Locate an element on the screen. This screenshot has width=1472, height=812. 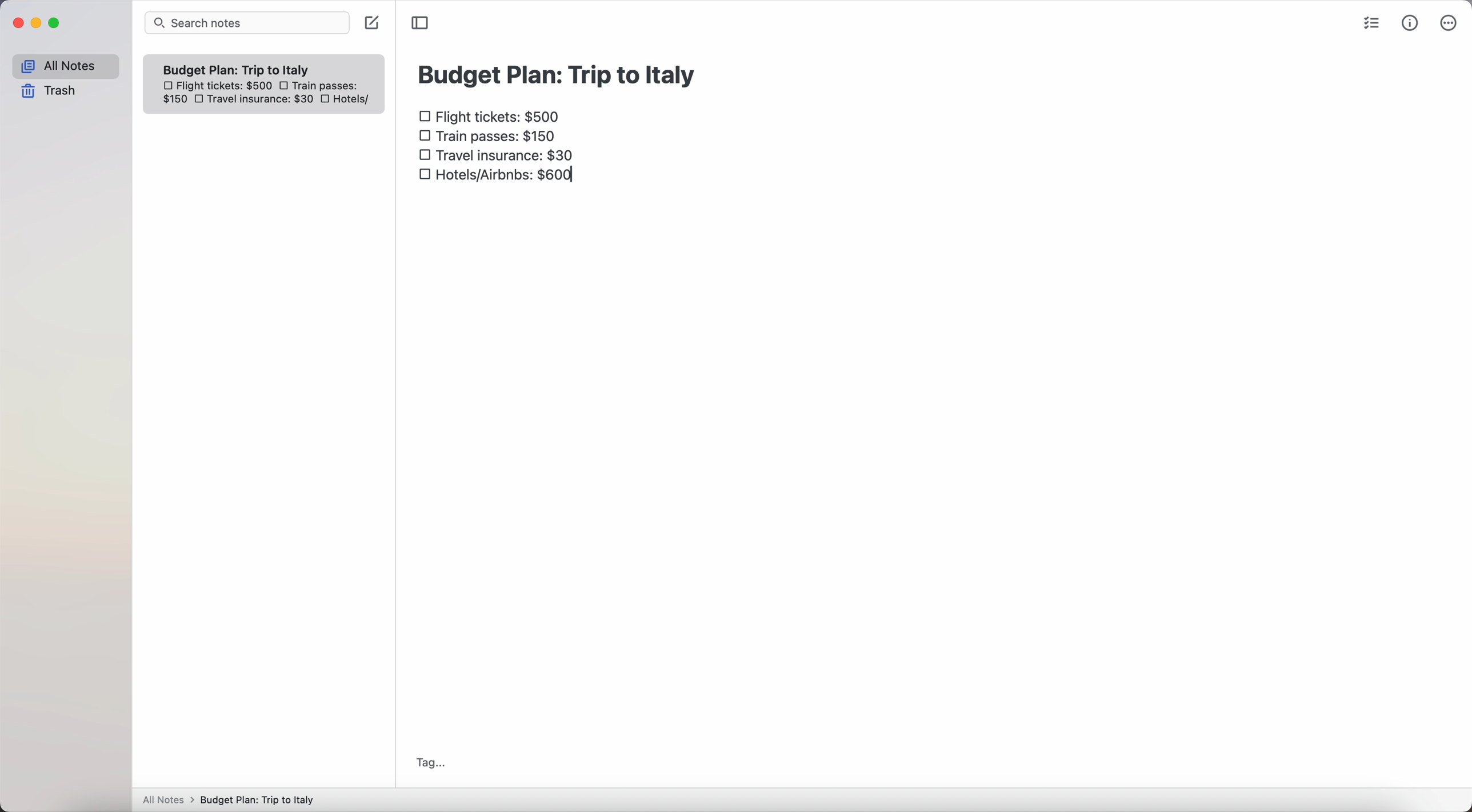
flight tickets: $500 checkbox is located at coordinates (493, 118).